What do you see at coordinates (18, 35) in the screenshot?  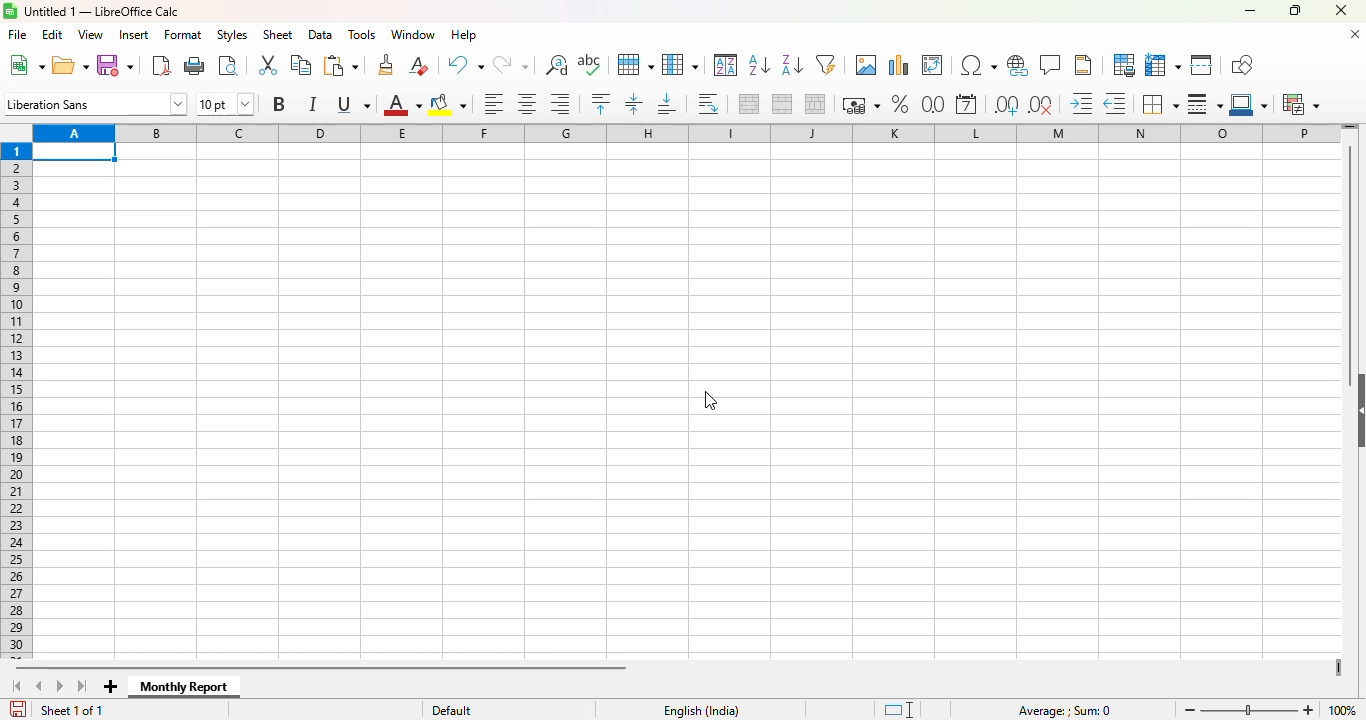 I see `file` at bounding box center [18, 35].